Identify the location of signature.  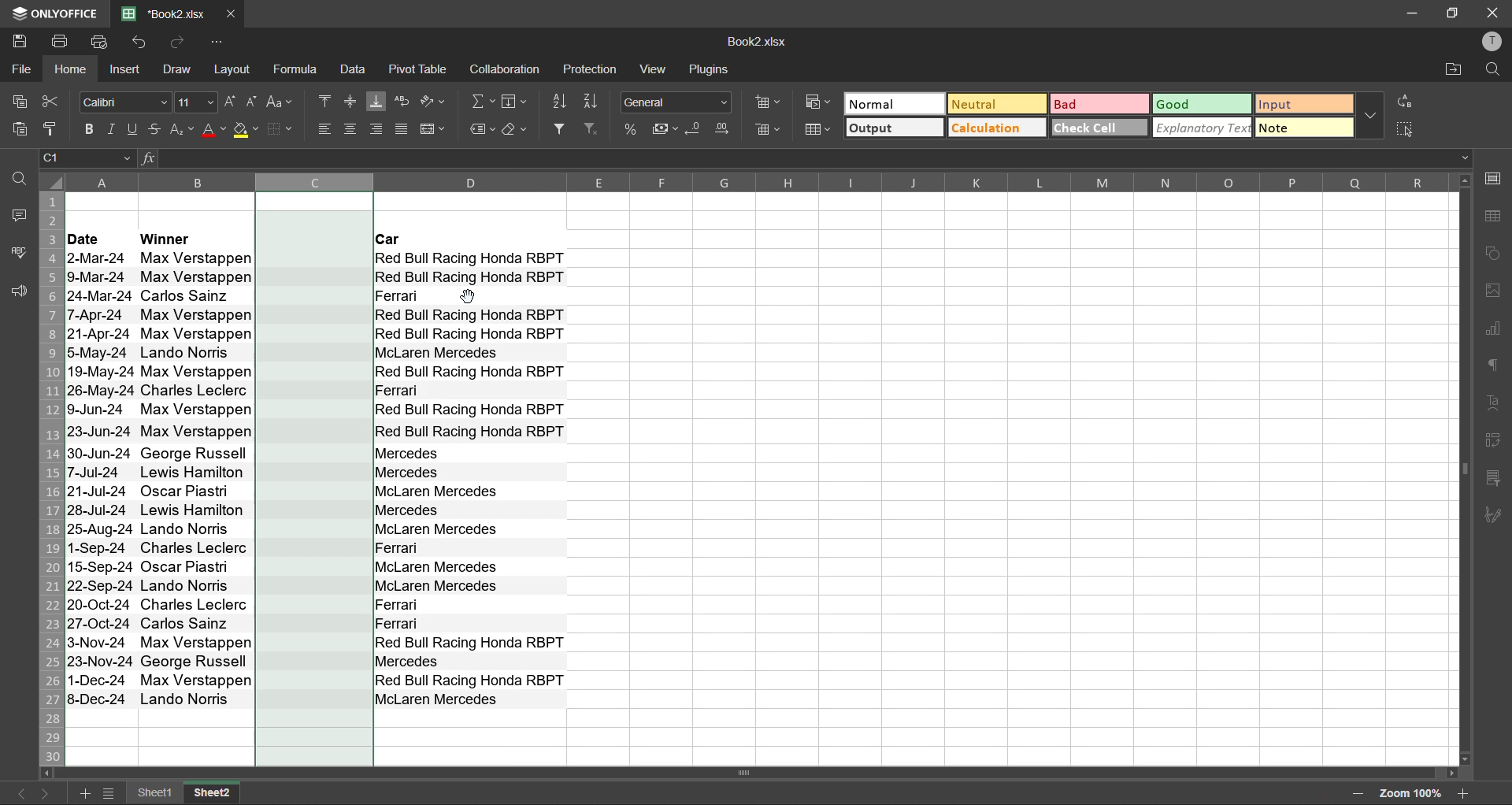
(1494, 520).